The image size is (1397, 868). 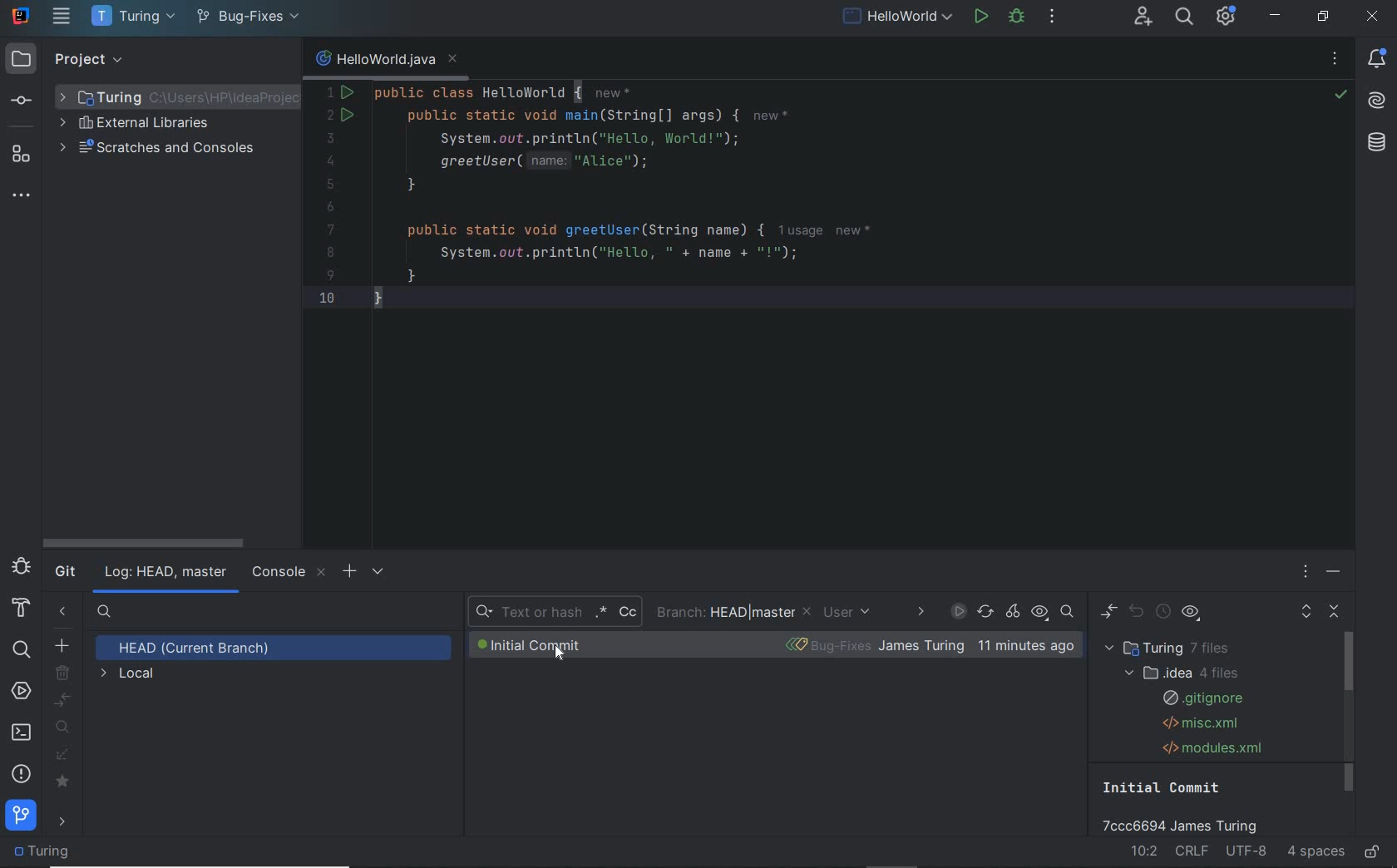 I want to click on file name, so click(x=386, y=62).